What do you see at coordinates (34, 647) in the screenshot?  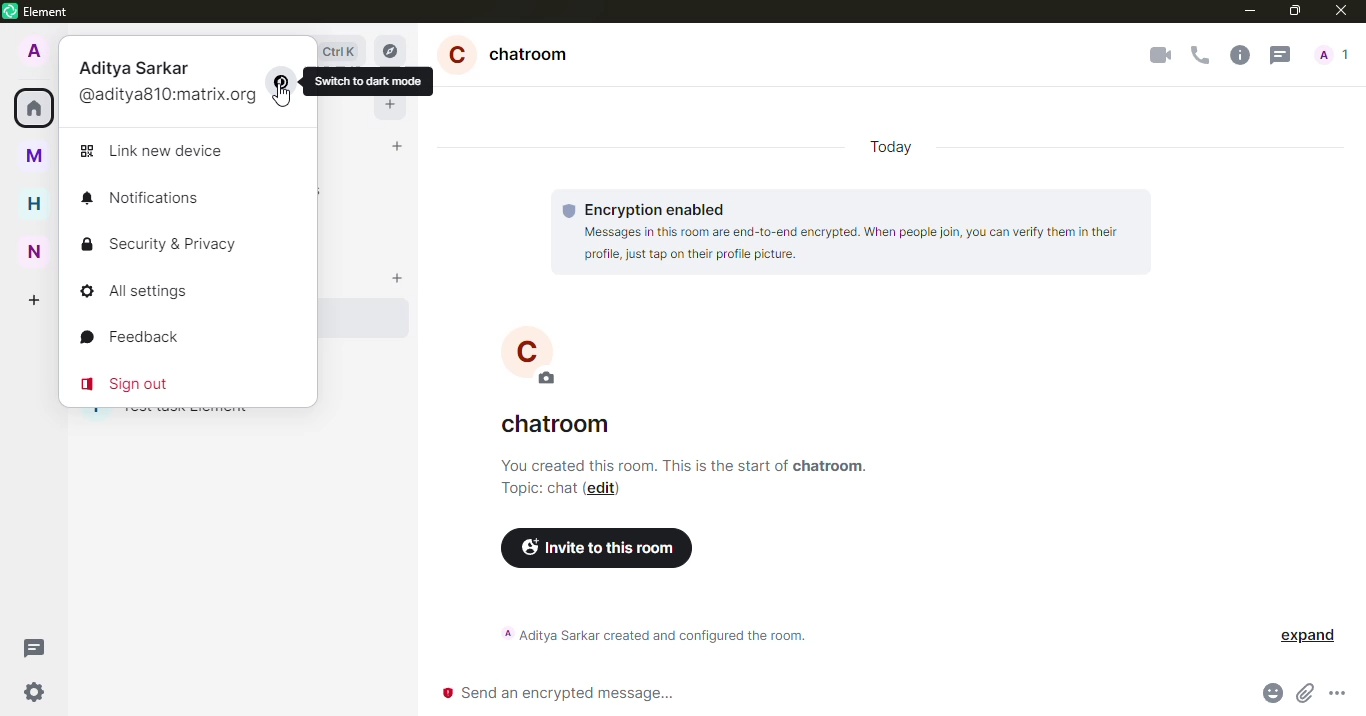 I see `threads` at bounding box center [34, 647].